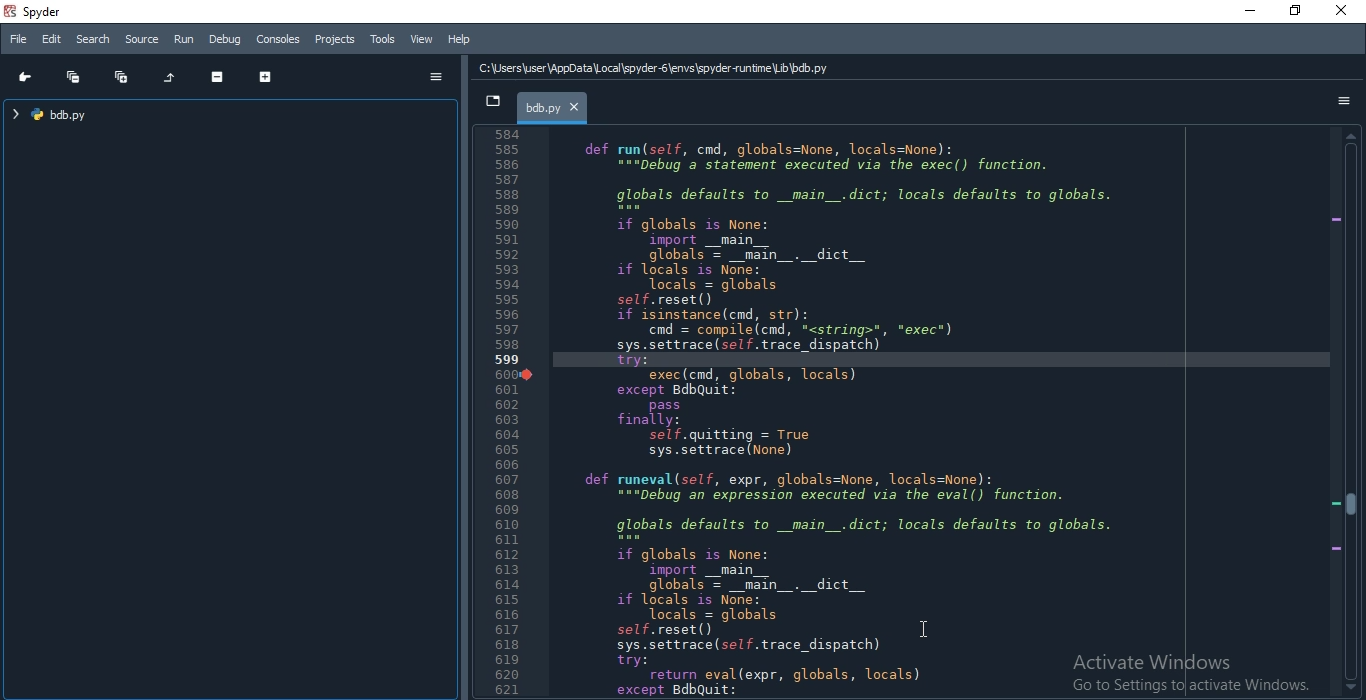  I want to click on spyder, so click(35, 12).